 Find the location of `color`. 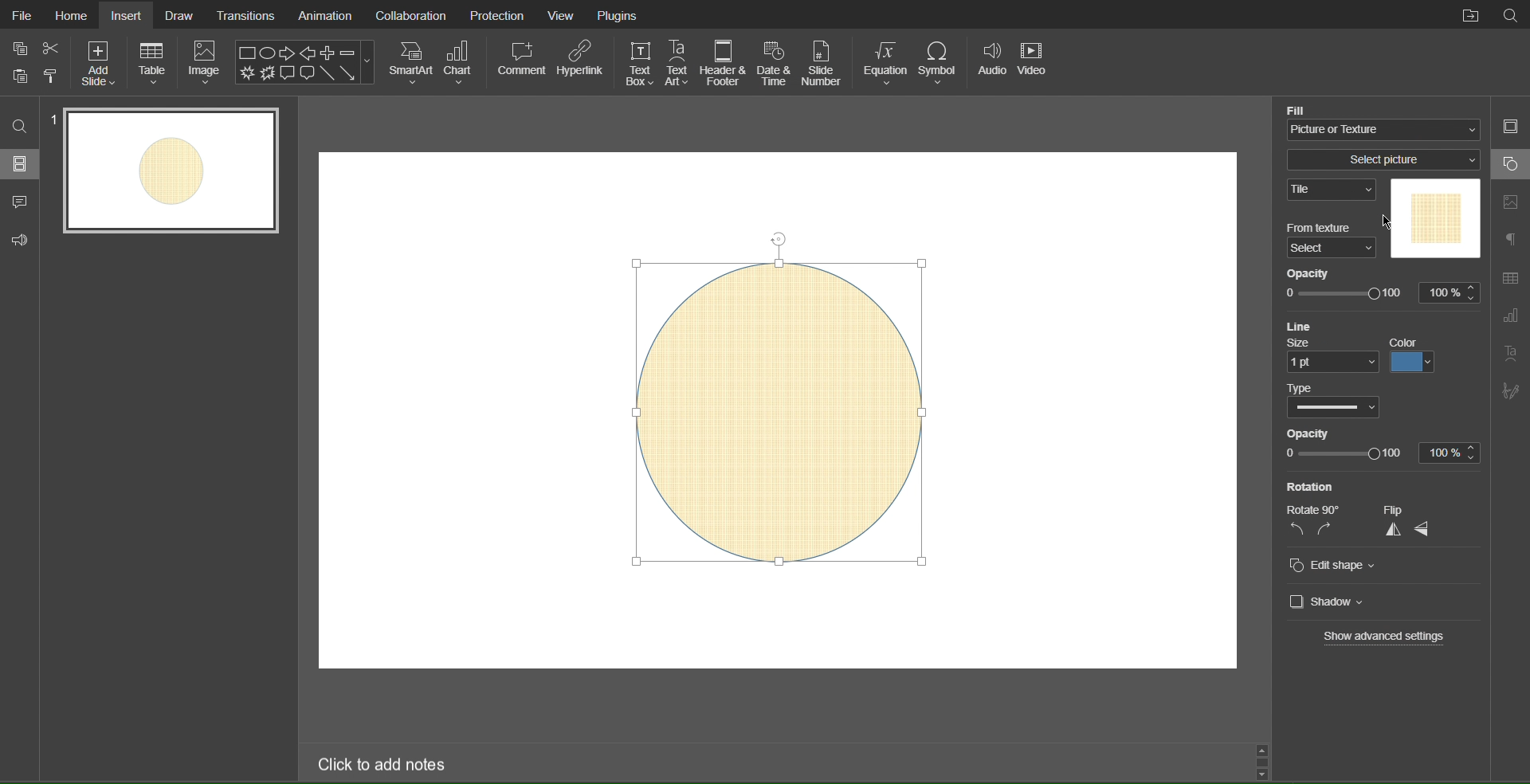

color is located at coordinates (1402, 339).